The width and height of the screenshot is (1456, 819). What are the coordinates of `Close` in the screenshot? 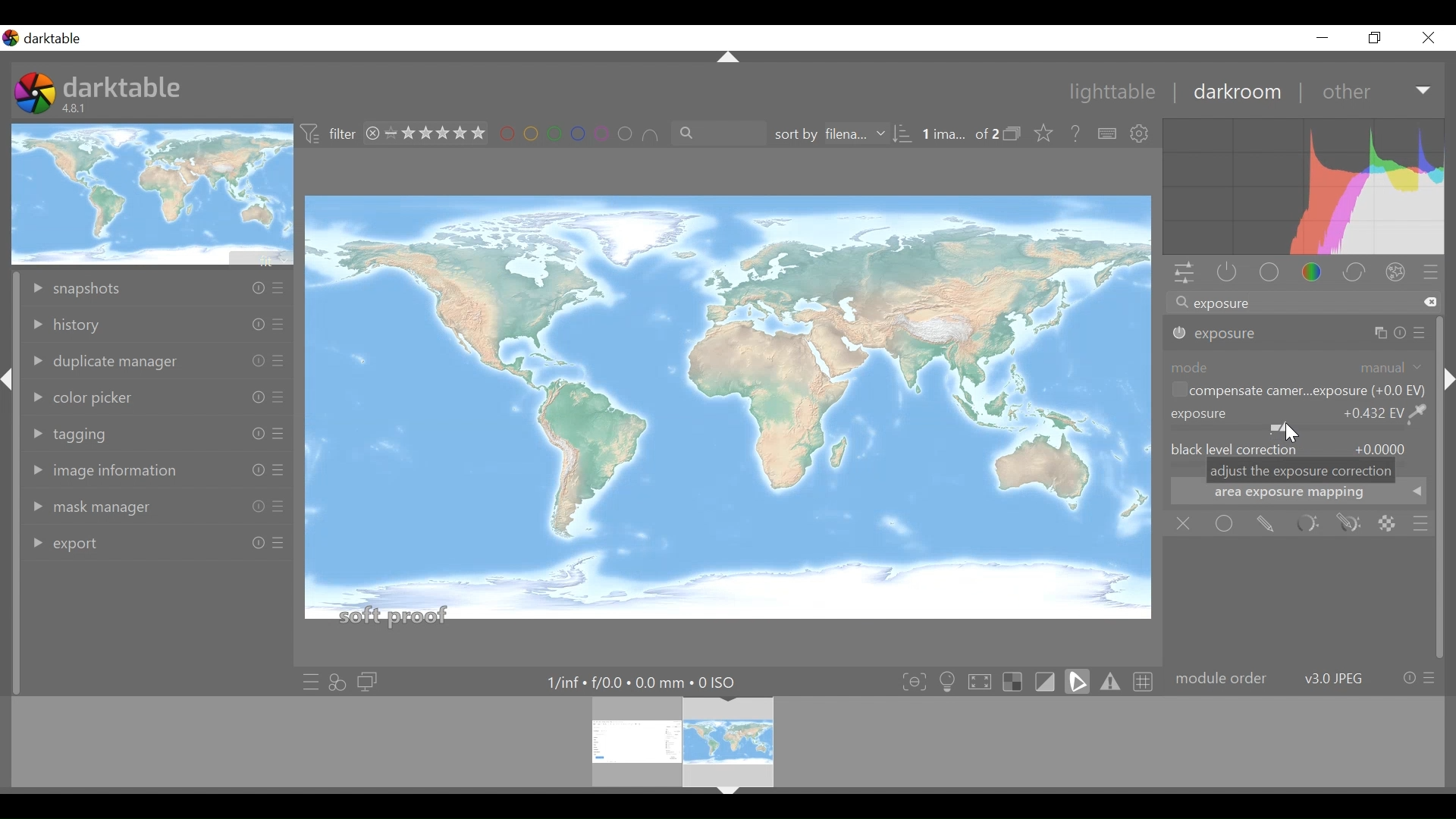 It's located at (1429, 37).